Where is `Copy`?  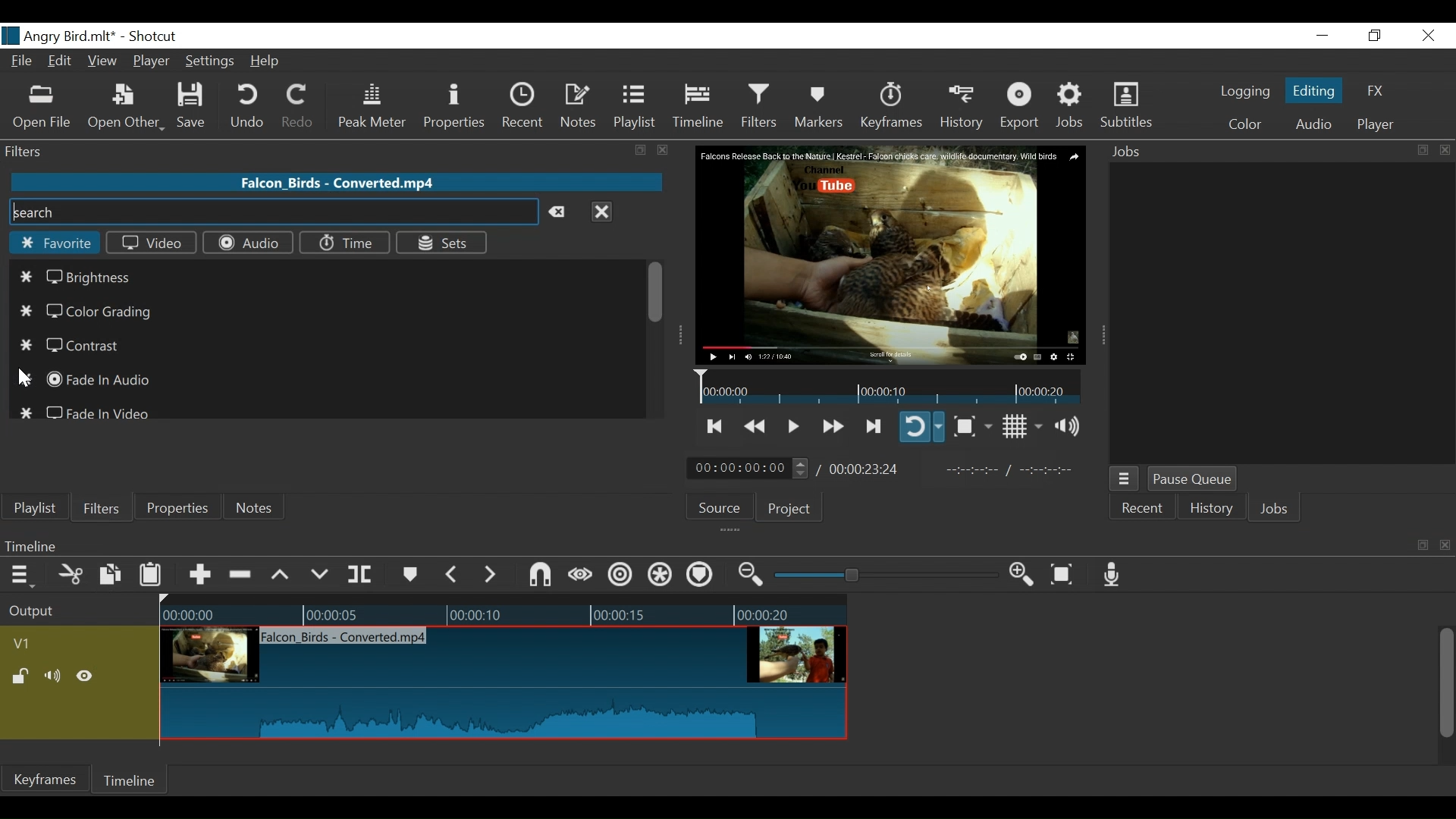 Copy is located at coordinates (112, 577).